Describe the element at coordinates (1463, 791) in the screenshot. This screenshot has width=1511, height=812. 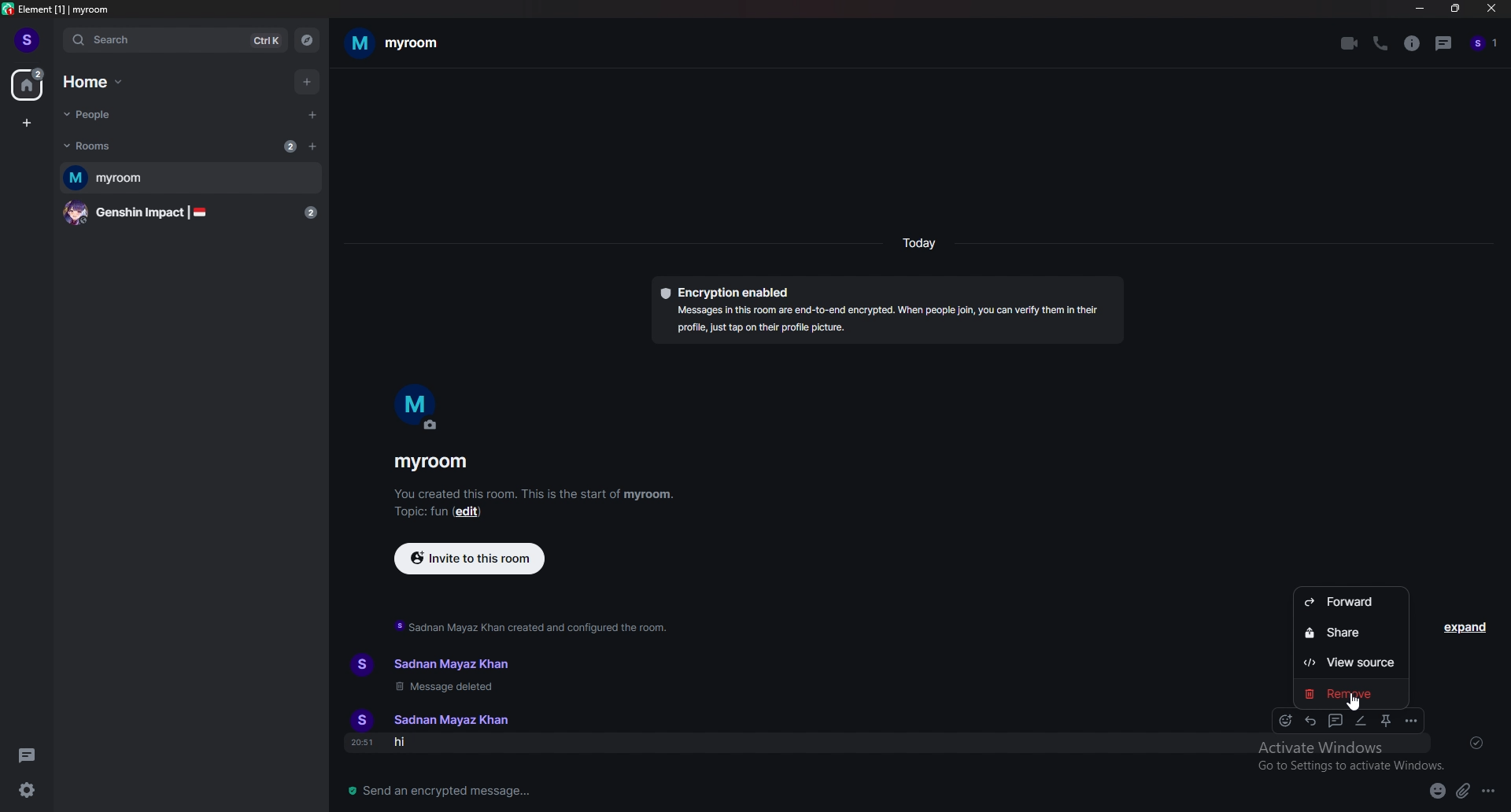
I see `attachment` at that location.